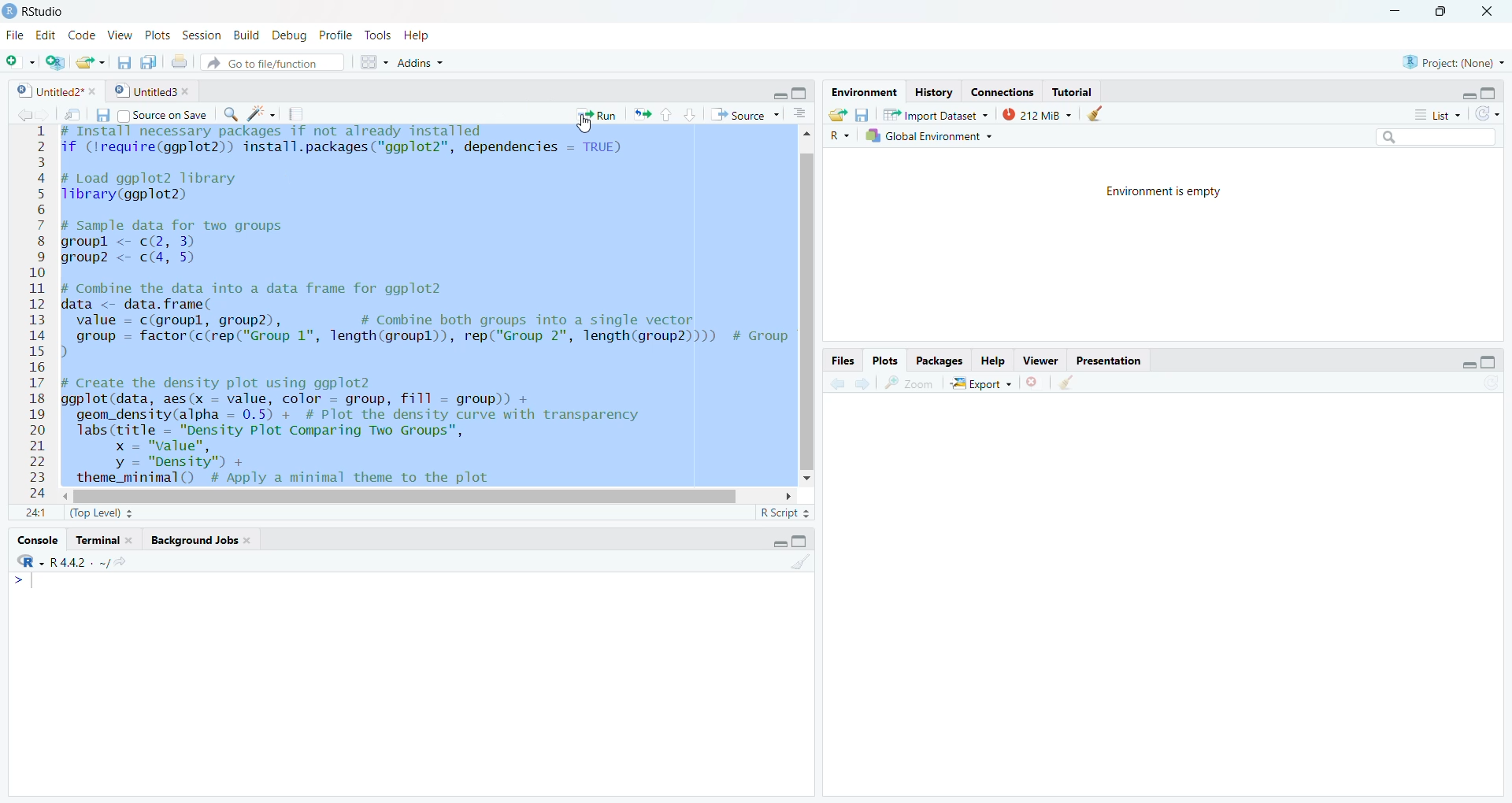 This screenshot has width=1512, height=803. What do you see at coordinates (80, 35) in the screenshot?
I see `code` at bounding box center [80, 35].